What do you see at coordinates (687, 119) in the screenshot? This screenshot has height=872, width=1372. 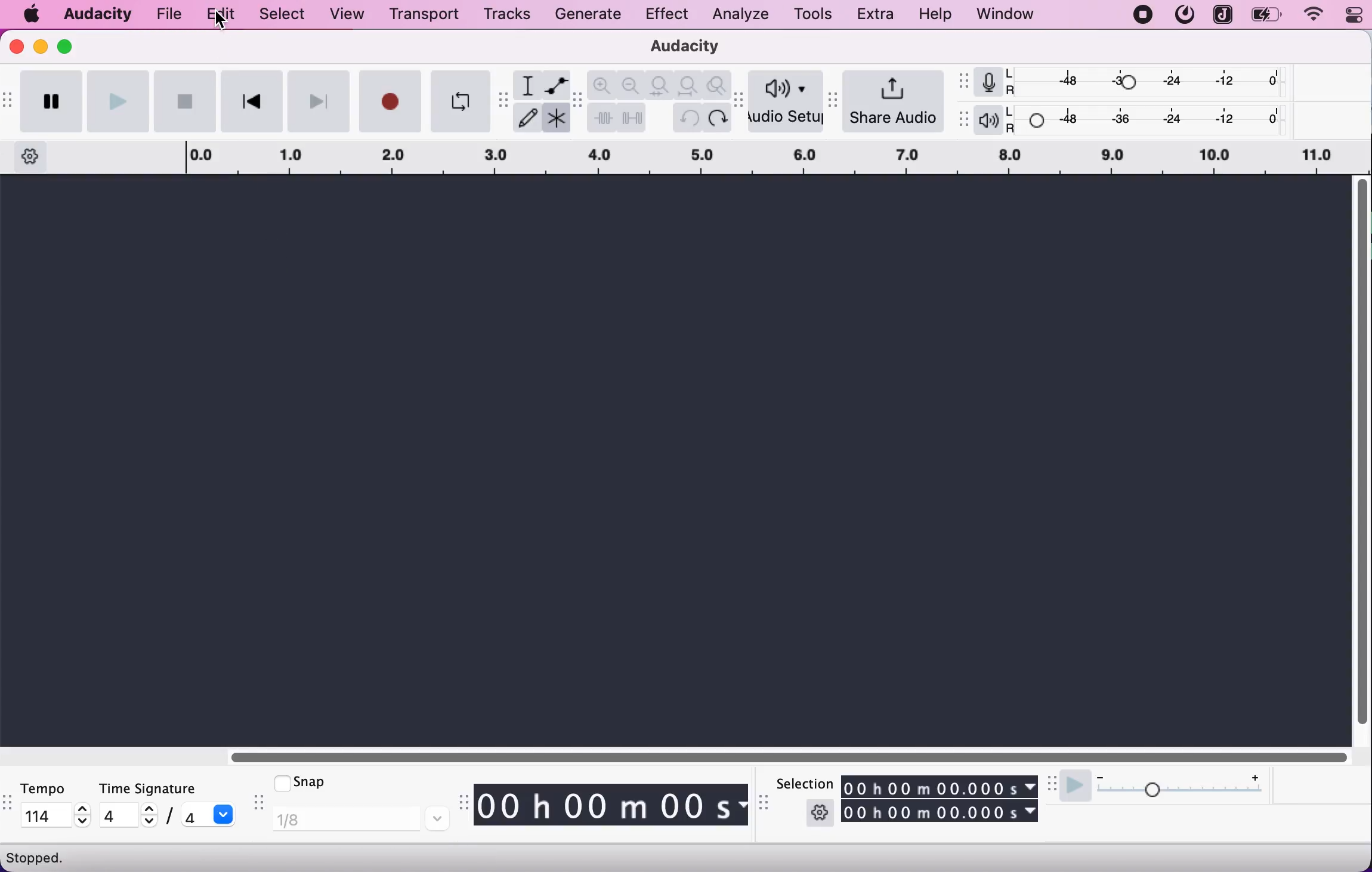 I see `undo` at bounding box center [687, 119].